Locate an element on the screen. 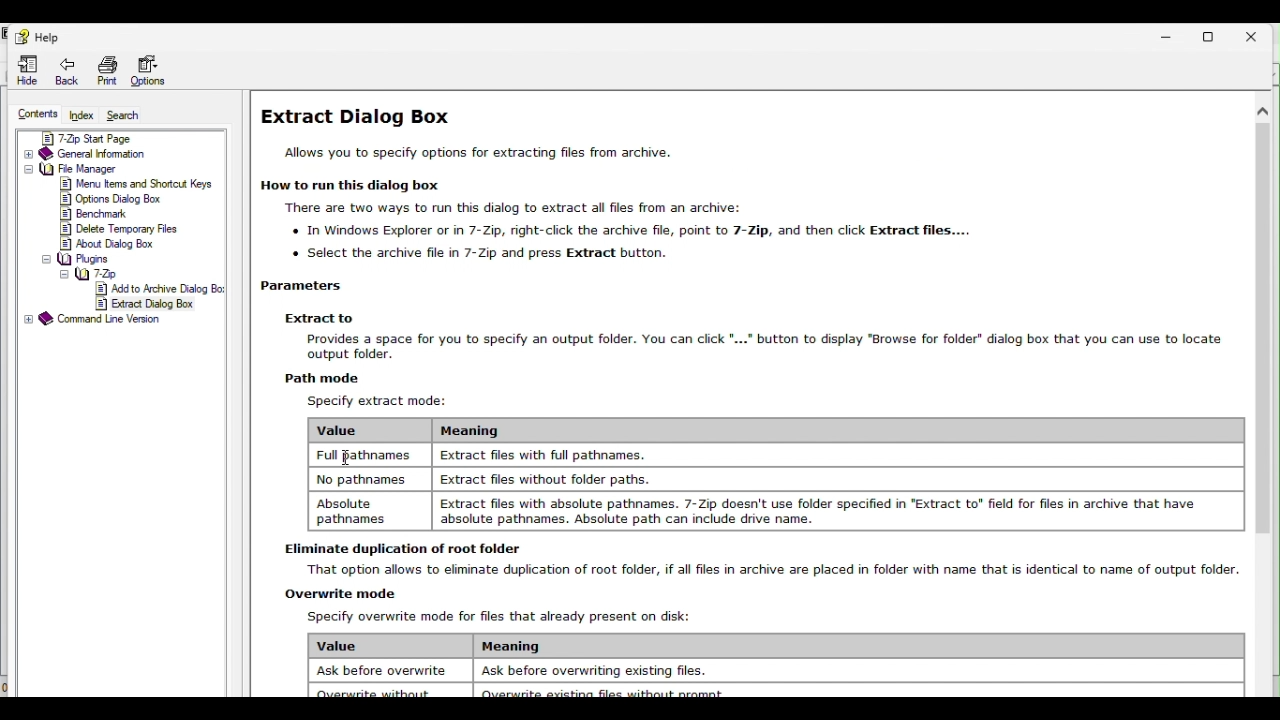 The width and height of the screenshot is (1280, 720). Content  is located at coordinates (36, 112).